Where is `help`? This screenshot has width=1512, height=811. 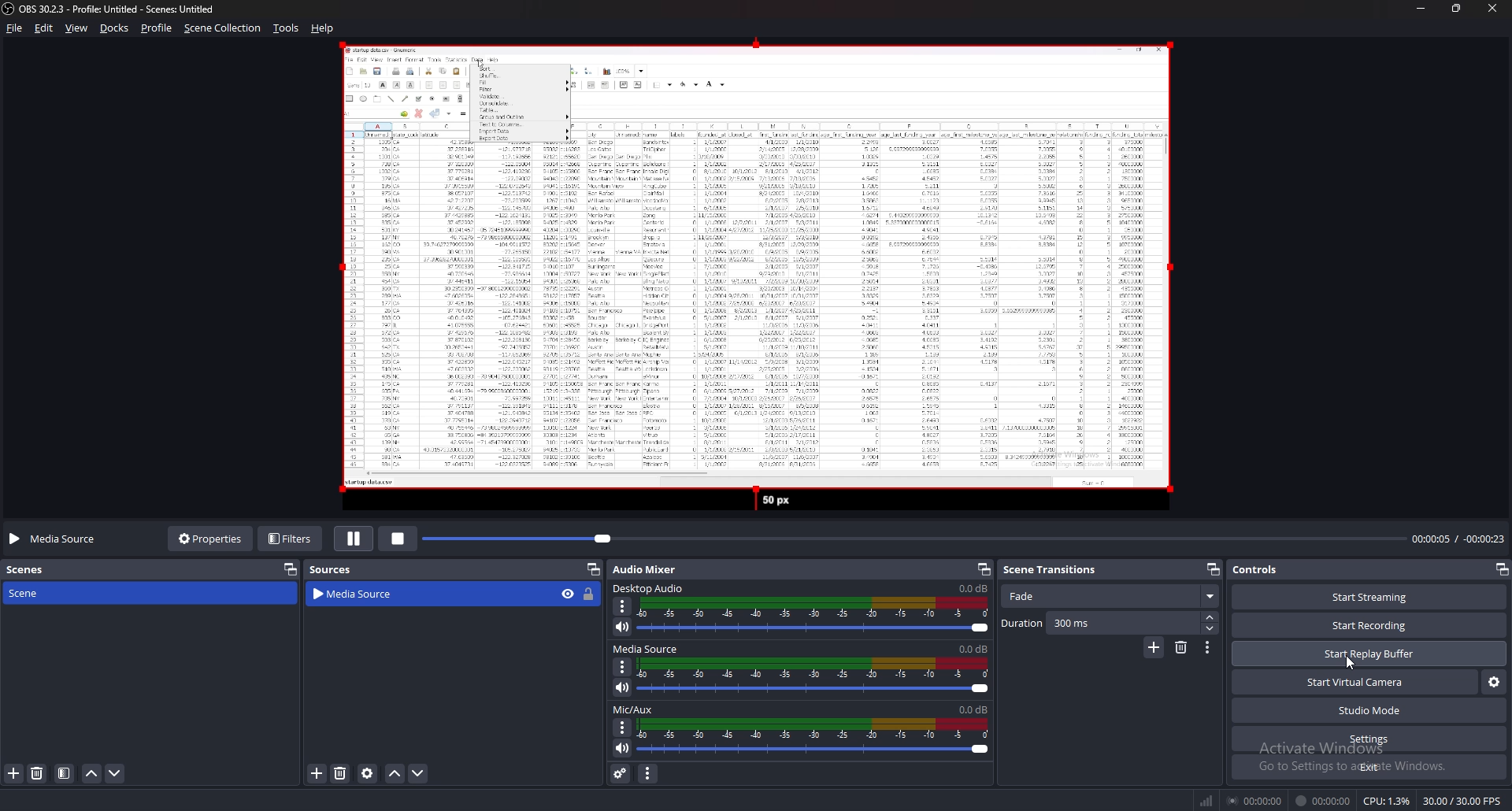
help is located at coordinates (324, 28).